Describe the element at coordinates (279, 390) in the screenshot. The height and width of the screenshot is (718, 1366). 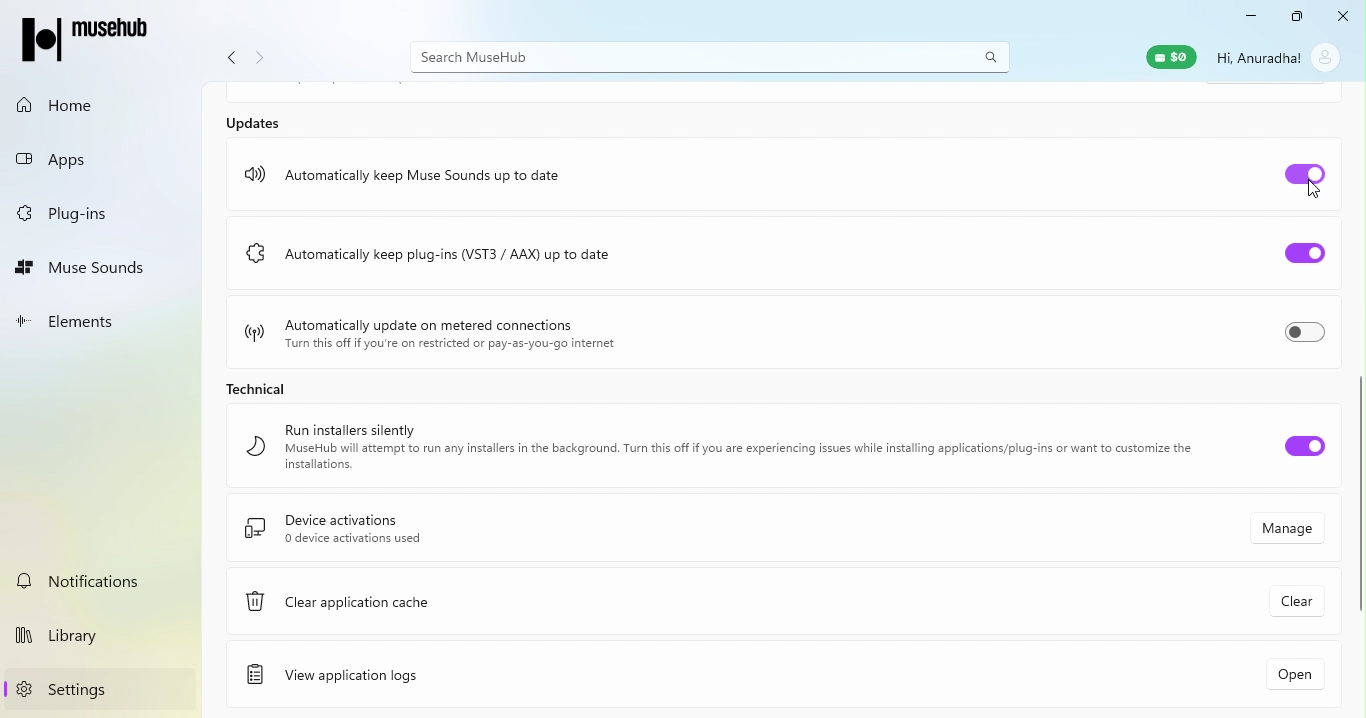
I see `Technical` at that location.